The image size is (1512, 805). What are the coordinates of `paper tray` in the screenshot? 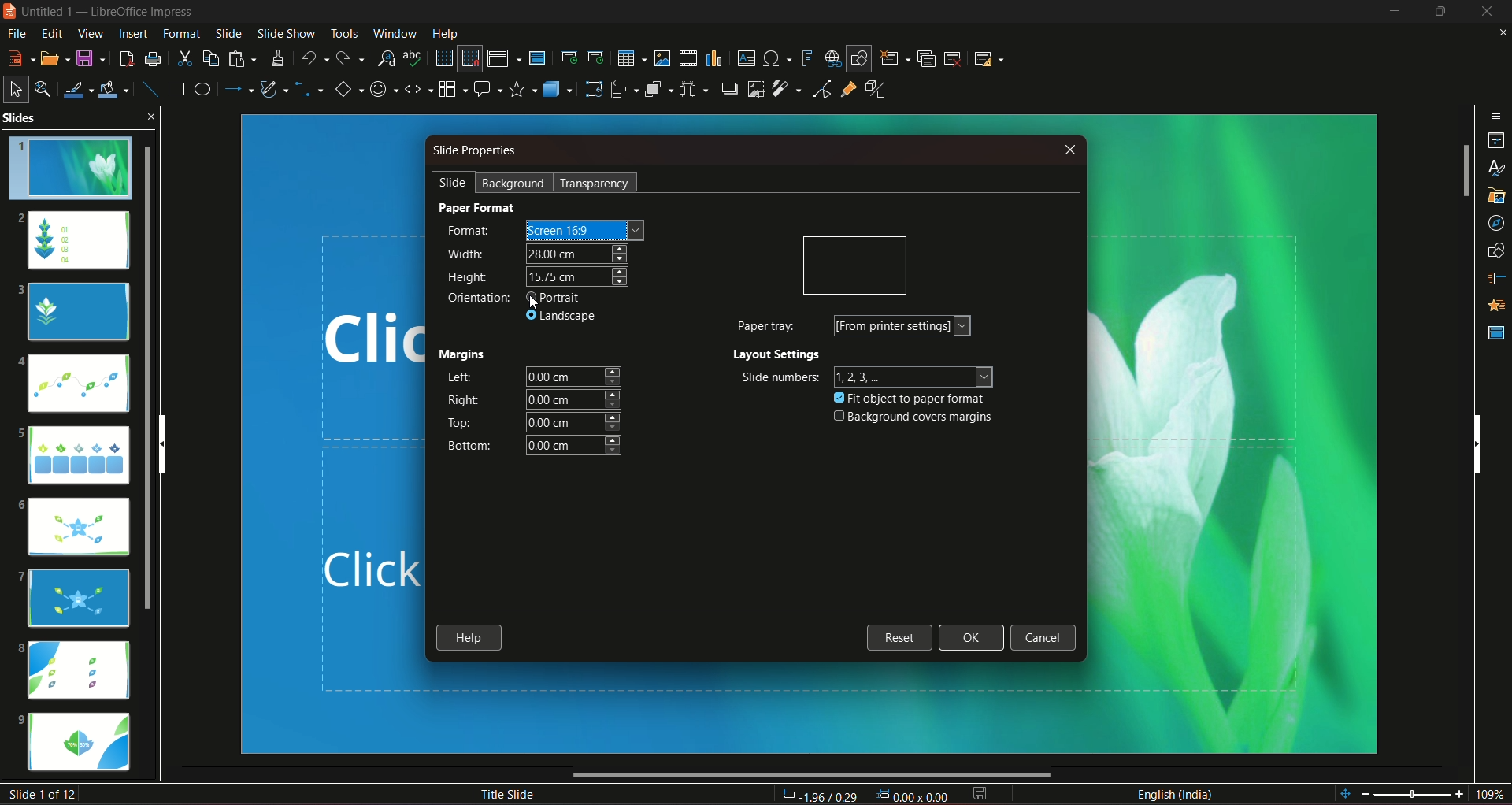 It's located at (765, 325).